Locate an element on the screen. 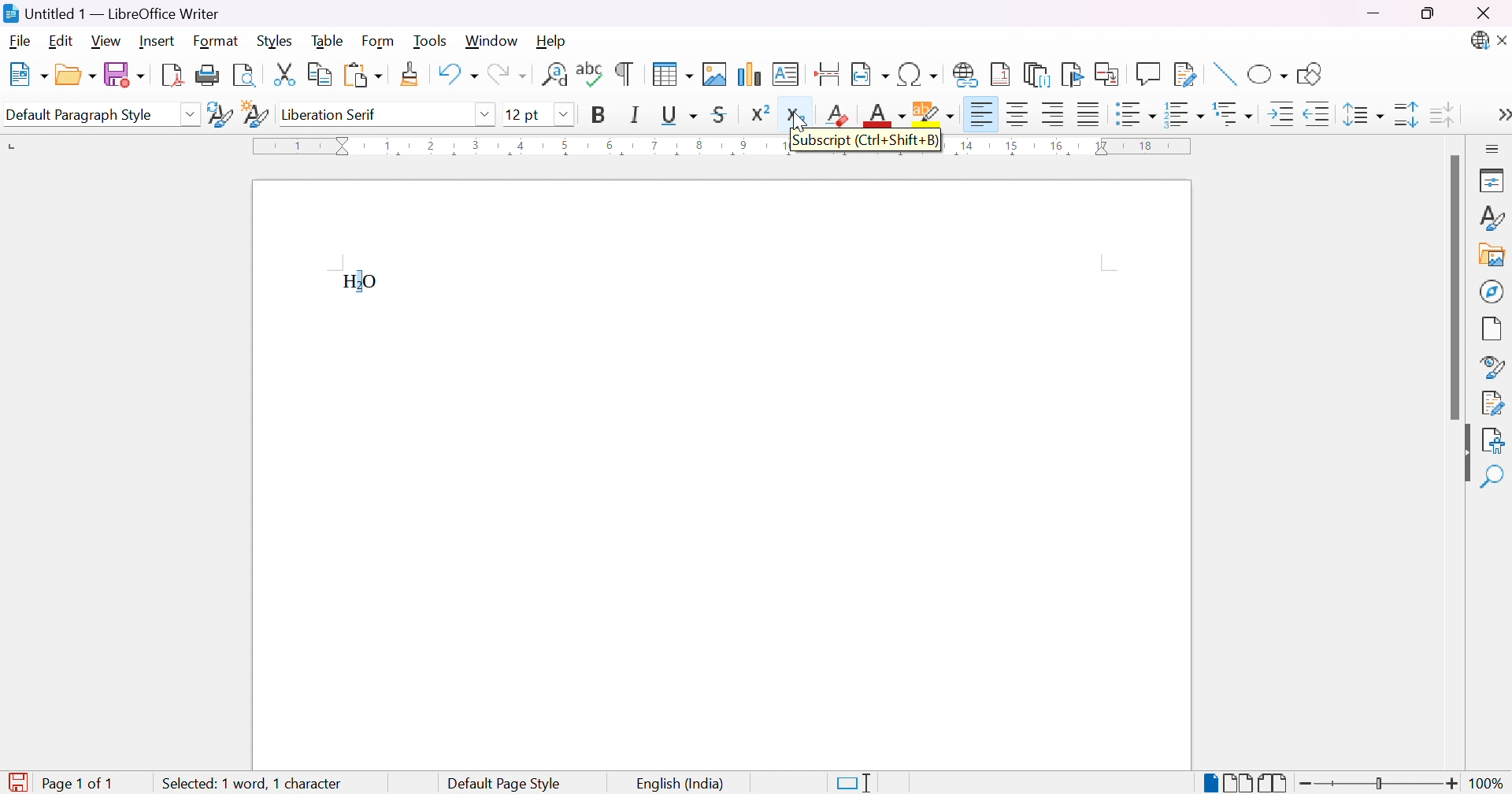 The height and width of the screenshot is (794, 1512). Accessibility check is located at coordinates (1492, 440).